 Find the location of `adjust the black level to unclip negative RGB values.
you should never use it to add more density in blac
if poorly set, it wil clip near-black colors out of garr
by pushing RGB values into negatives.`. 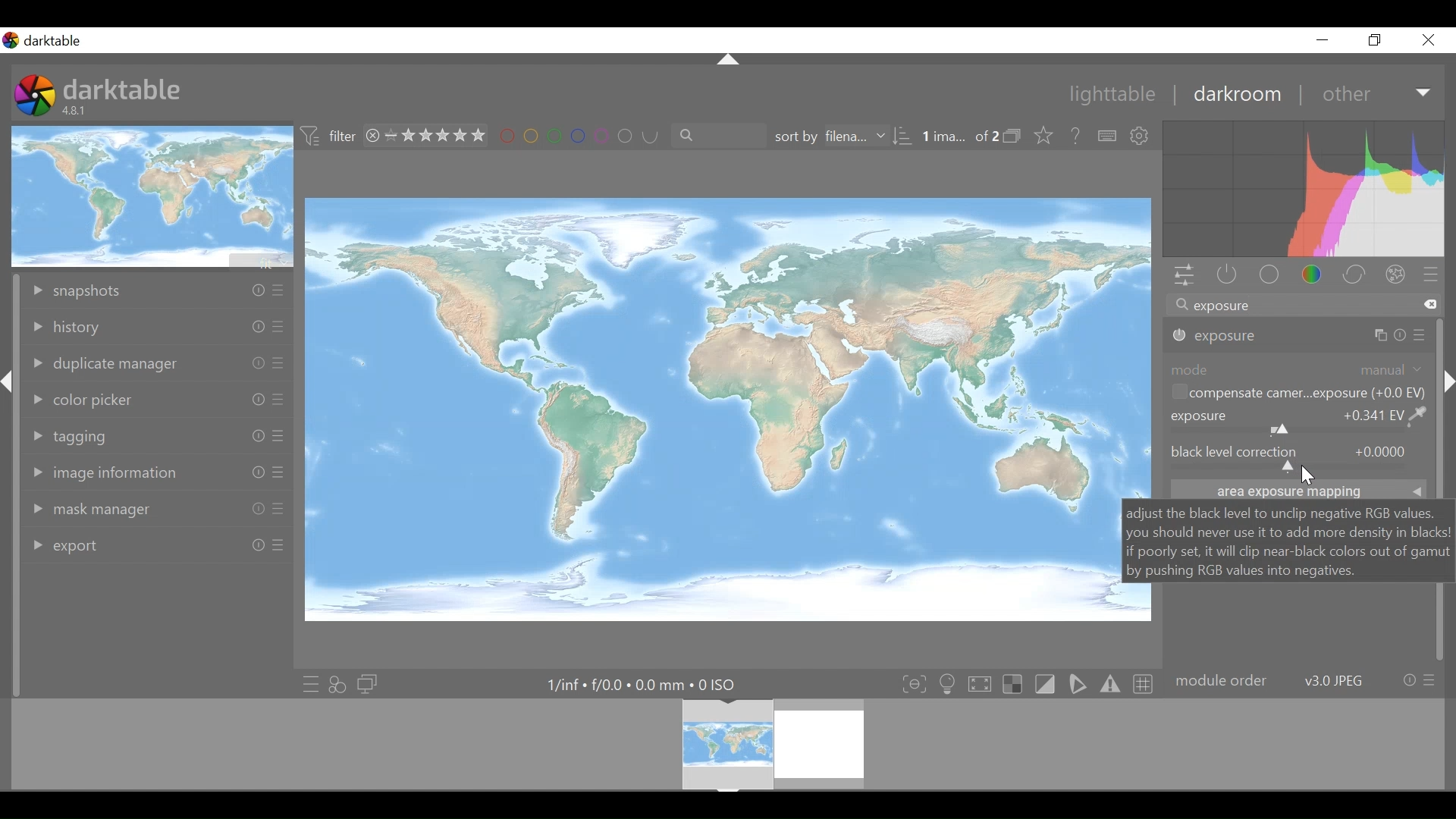

adjust the black level to unclip negative RGB values.
you should never use it to add more density in blac
if poorly set, it wil clip near-black colors out of garr
by pushing RGB values into negatives. is located at coordinates (1285, 541).